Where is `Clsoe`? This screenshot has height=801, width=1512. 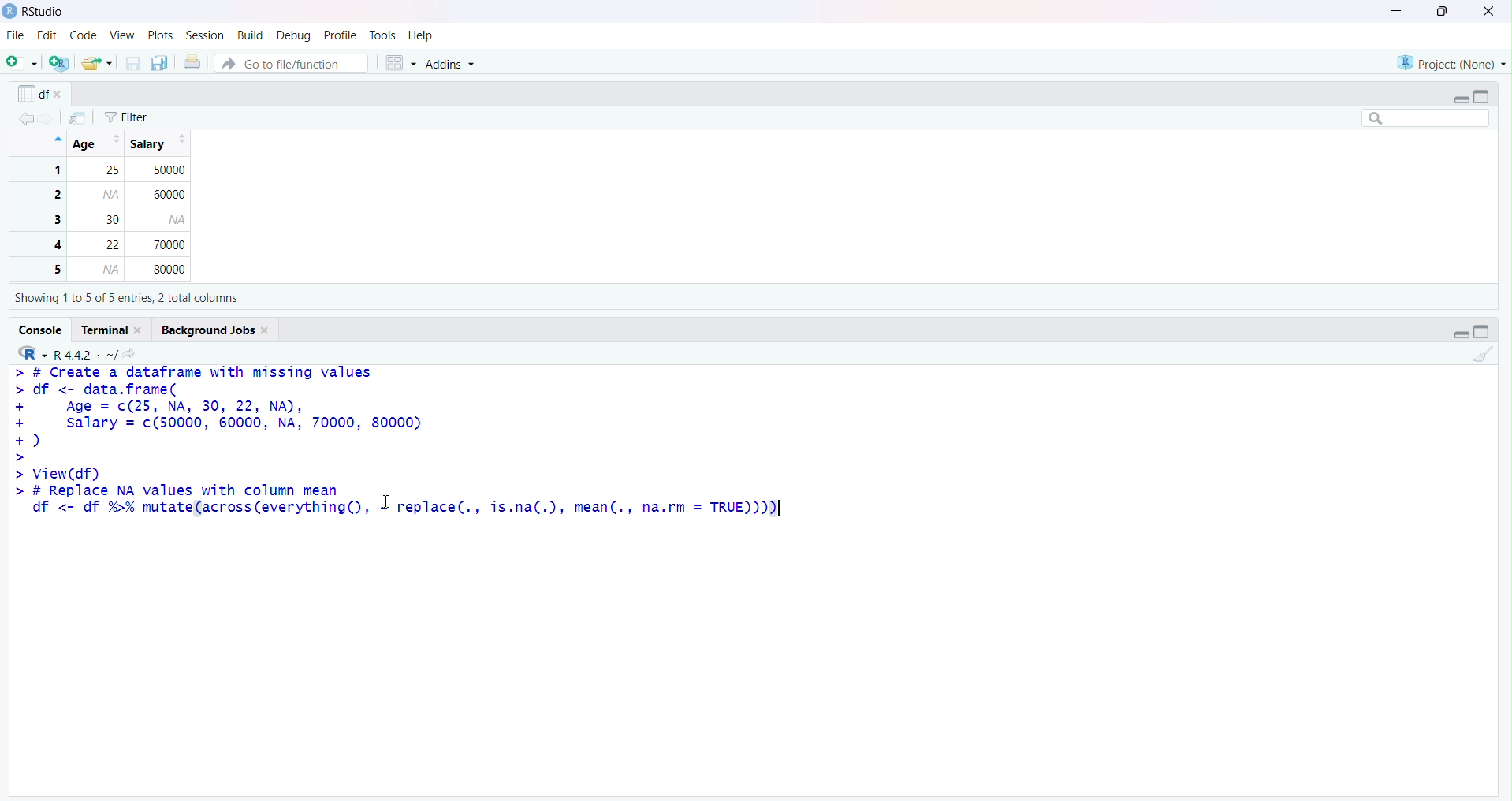 Clsoe is located at coordinates (1489, 12).